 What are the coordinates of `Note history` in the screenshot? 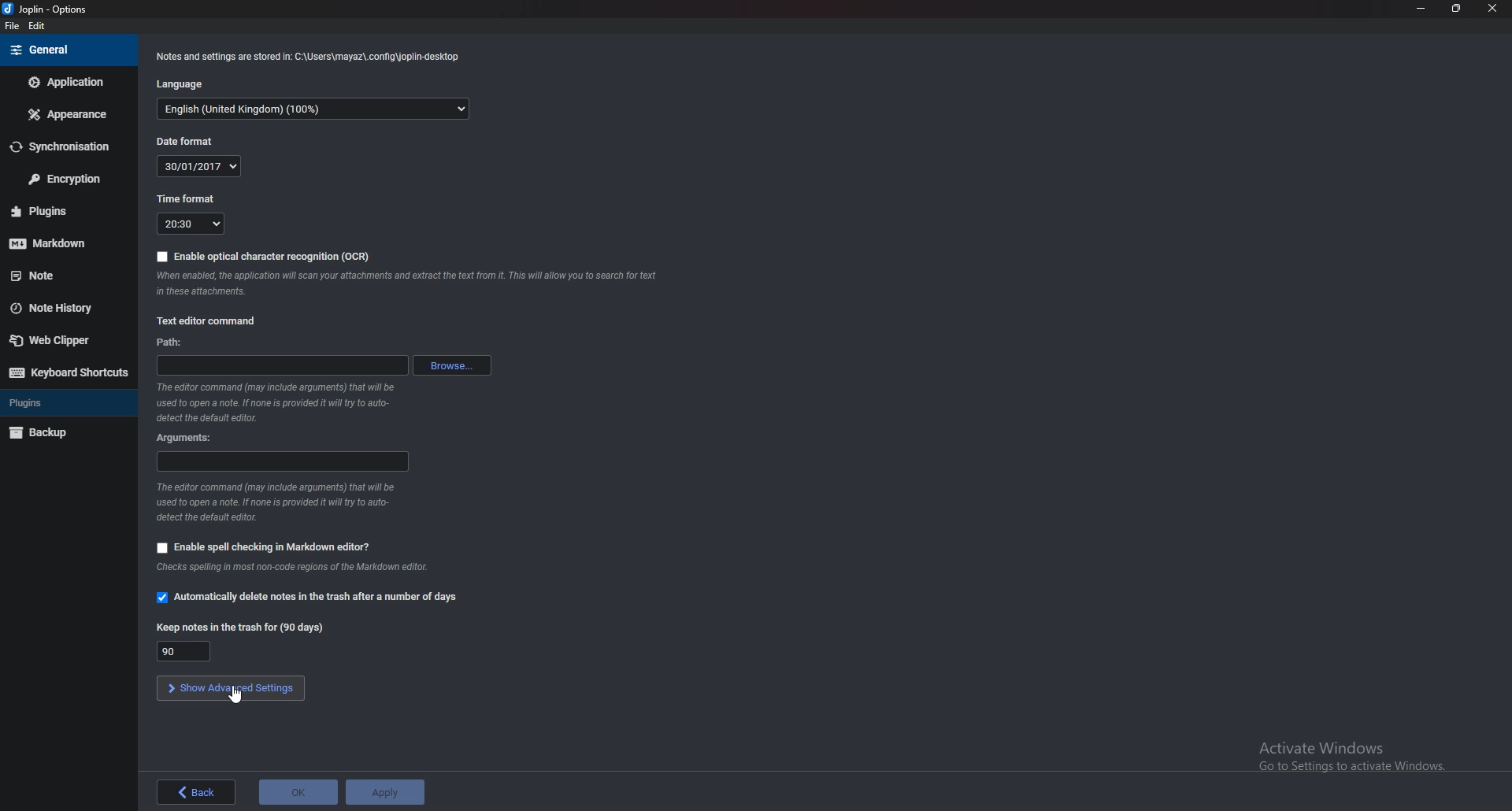 It's located at (58, 308).